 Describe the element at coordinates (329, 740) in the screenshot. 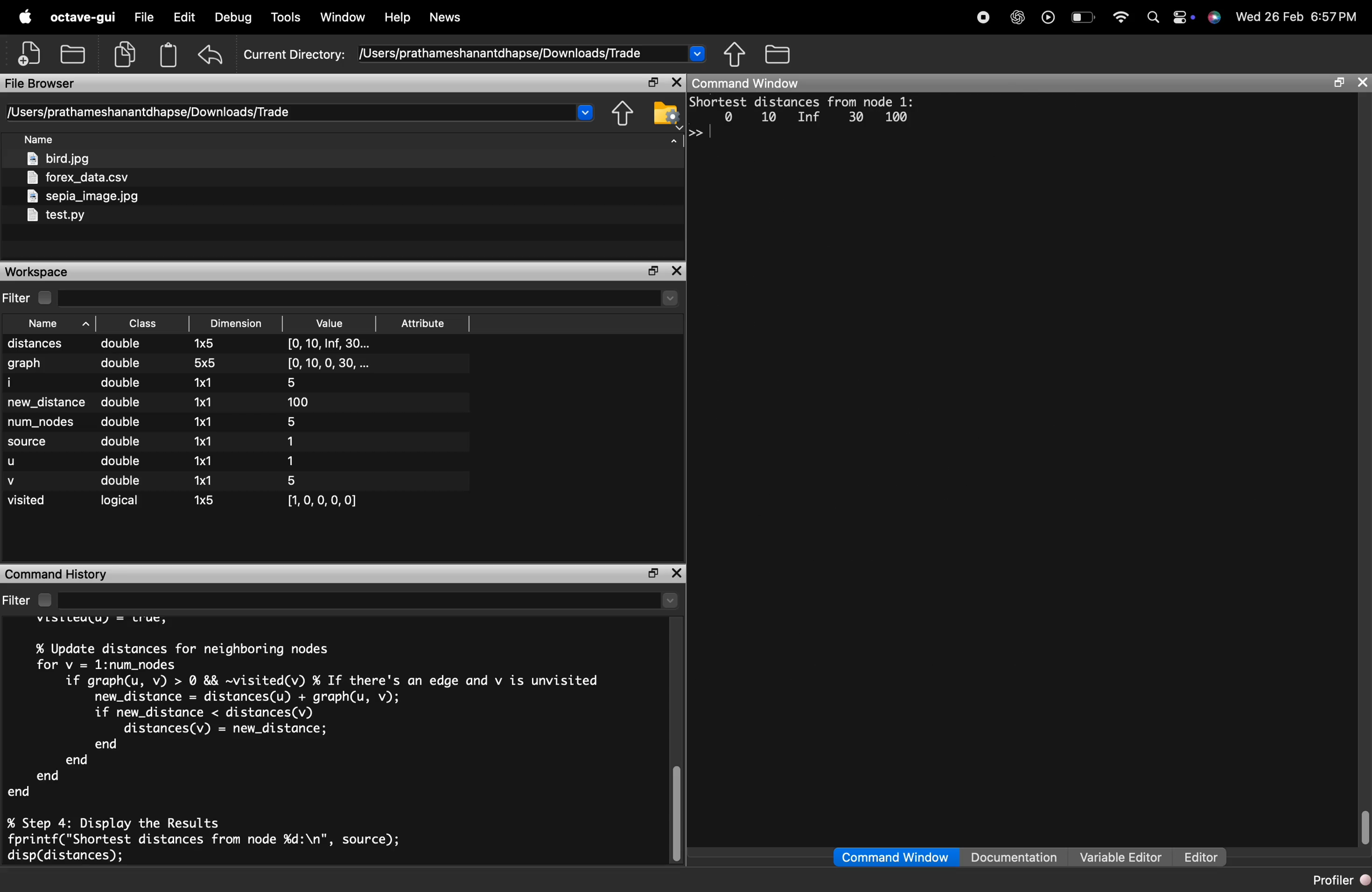

I see `console code - >> Dijkstra's Shortest Path Algorithm in GNU Octave clc; clear; close all; % Clean workspace Step 1: Define Graph as an Adjacency Matrix graph [0 10 0 30 100; 10 0 50 00: 0 50 0 20 10: 30 0 20 0 60; 100 0 10 60 0]; num_nodes = size(graph, 1); source = 1; % Start from node 1 Step 2: Initialize Distance and Visited Arrays distances inf(1, num_nodes); distances (source) = 0; visited false(1, num_nodes); Step 3: Implement Dijkstra's Algorithm for i = 1:num_nodes % Find the unvisited node with the smallest distance [ , u] = min(distances. -visited); visited(u) = true; % Update distances for neighboring nodes for v 1:num_nodes if graph(u, v) > 0 && visited(v) % If there's an edge and v is unvisited new_distance distances(u) + graph(u, v); if new_distance < distances (v) distances(v) new_distance; end end end eno` at that location.